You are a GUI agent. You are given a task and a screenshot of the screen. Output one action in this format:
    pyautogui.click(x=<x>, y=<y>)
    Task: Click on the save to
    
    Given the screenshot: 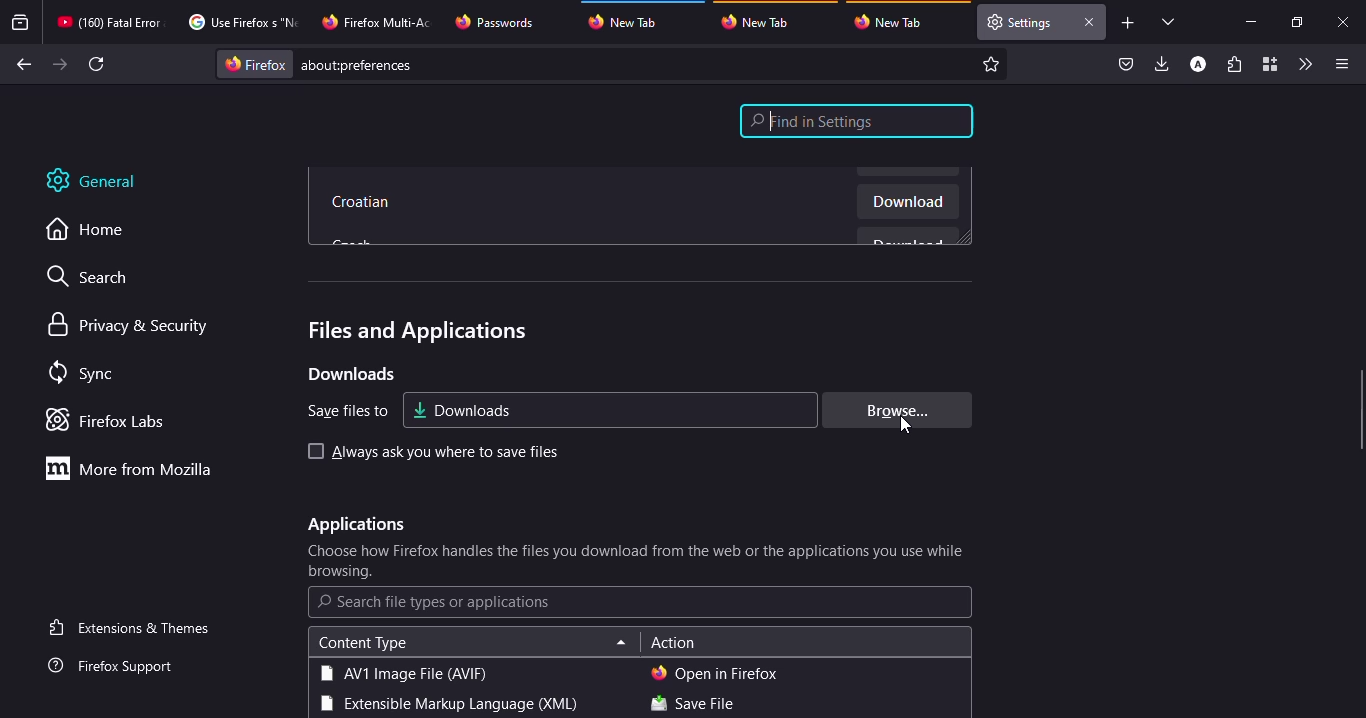 What is the action you would take?
    pyautogui.click(x=342, y=411)
    